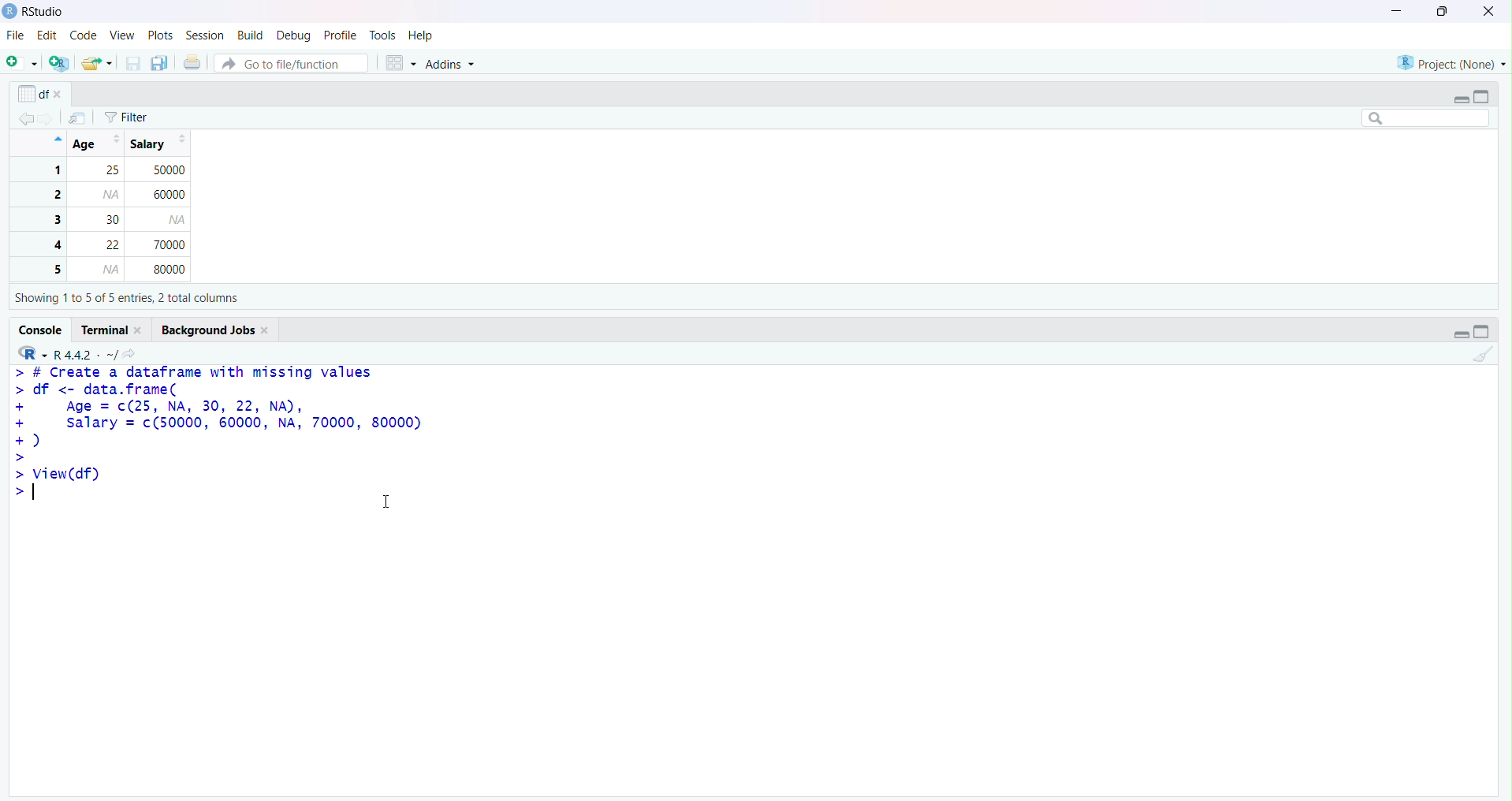  I want to click on Project (Note), so click(1451, 64).